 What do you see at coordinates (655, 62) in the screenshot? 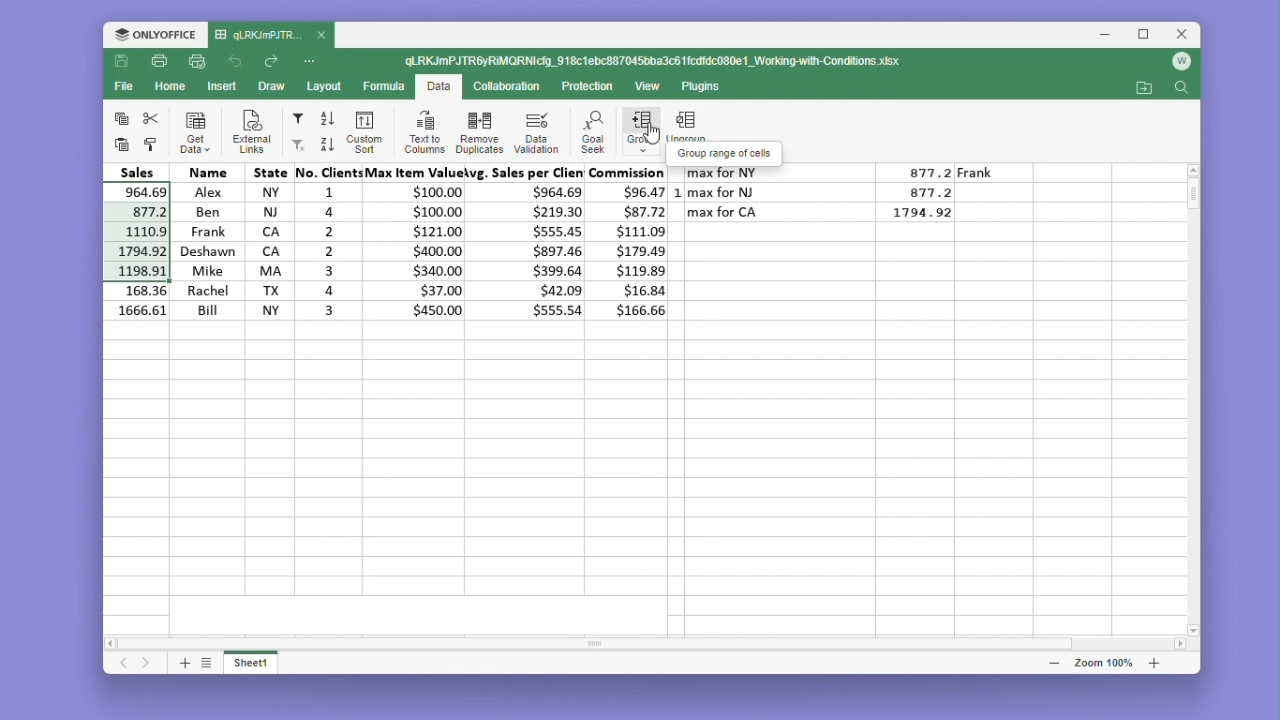
I see `File name` at bounding box center [655, 62].